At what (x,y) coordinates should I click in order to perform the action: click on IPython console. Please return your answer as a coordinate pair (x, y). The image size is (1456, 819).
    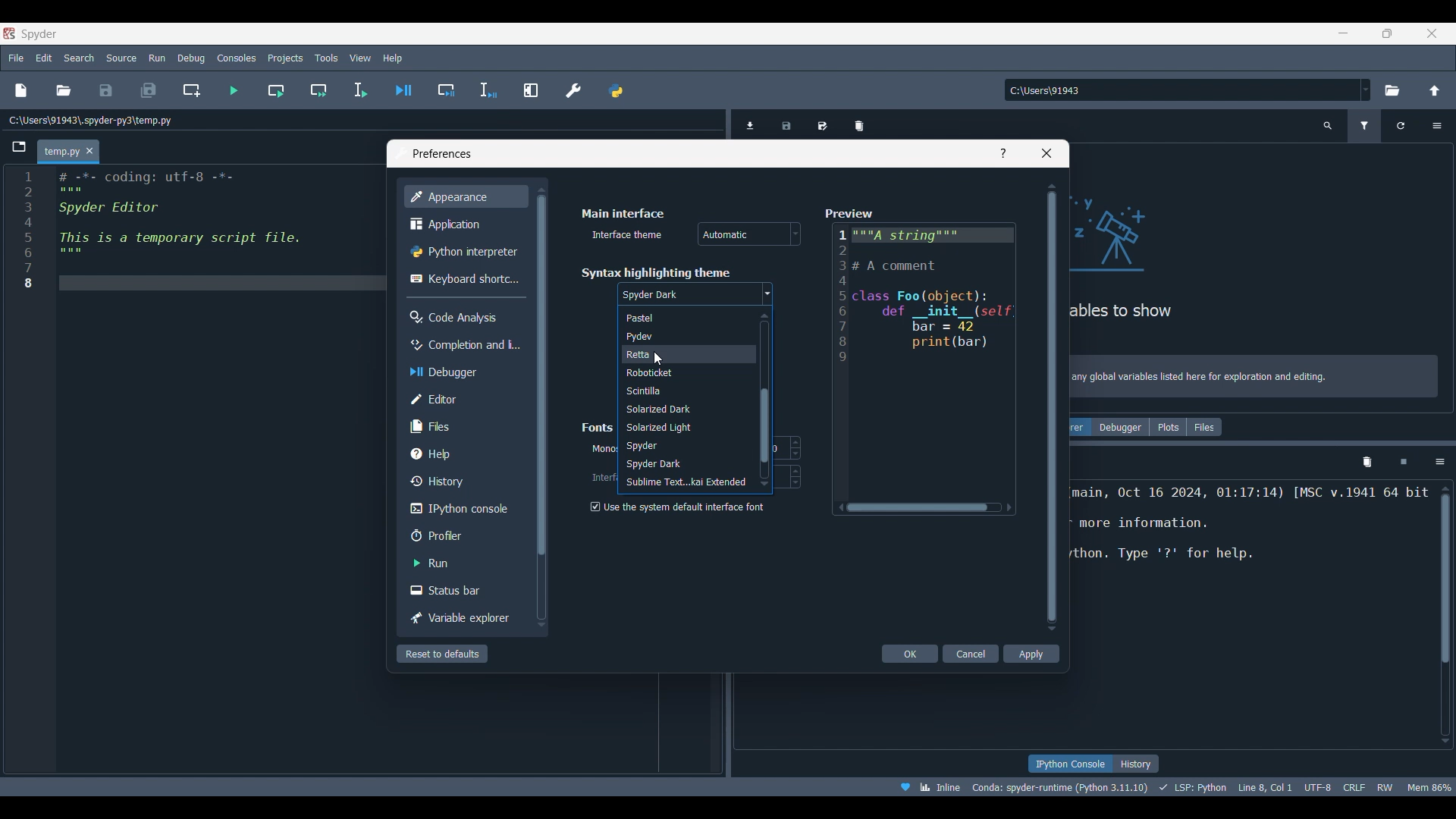
    Looking at the image, I should click on (462, 509).